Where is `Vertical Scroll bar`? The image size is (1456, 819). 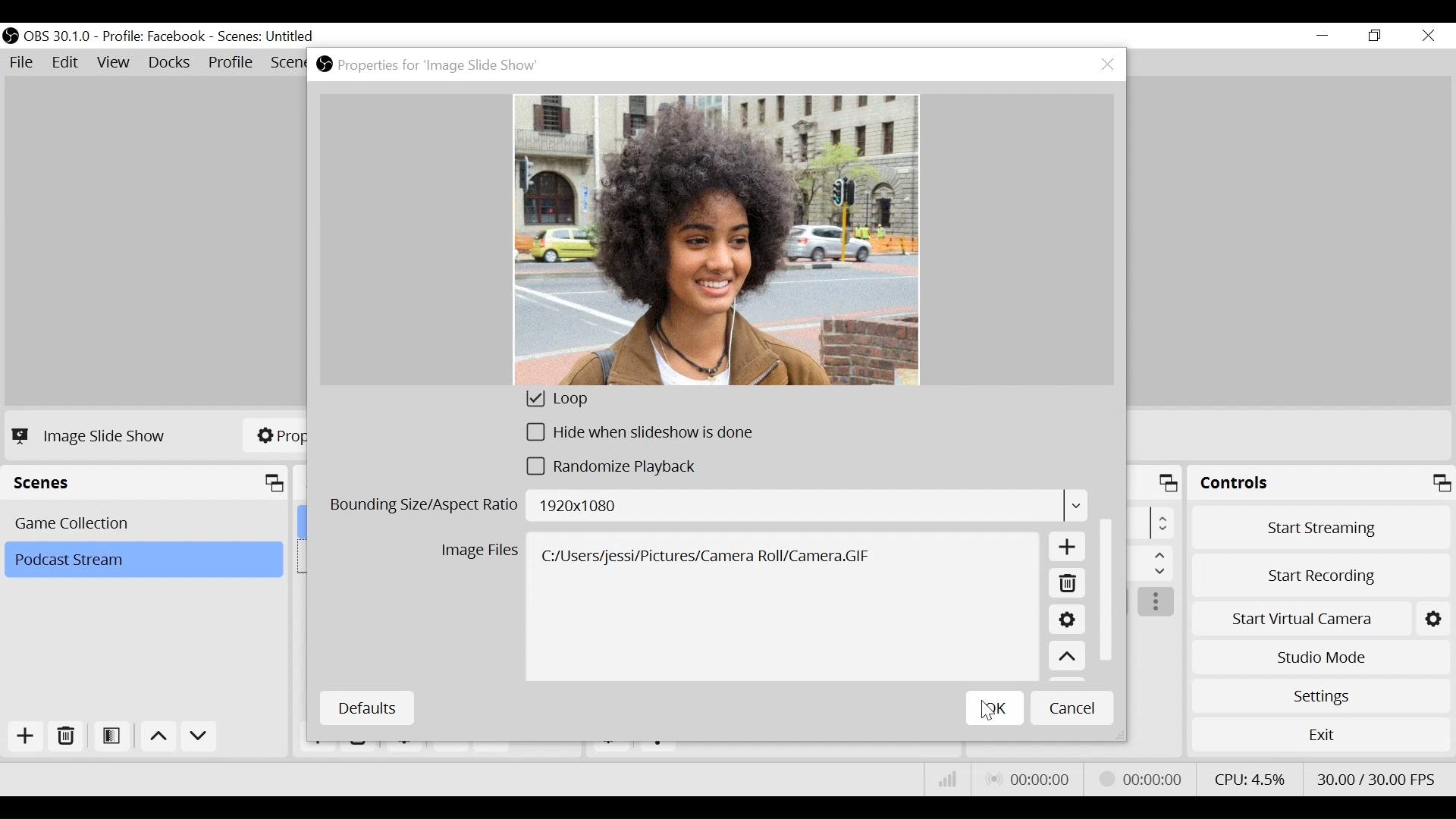 Vertical Scroll bar is located at coordinates (1109, 587).